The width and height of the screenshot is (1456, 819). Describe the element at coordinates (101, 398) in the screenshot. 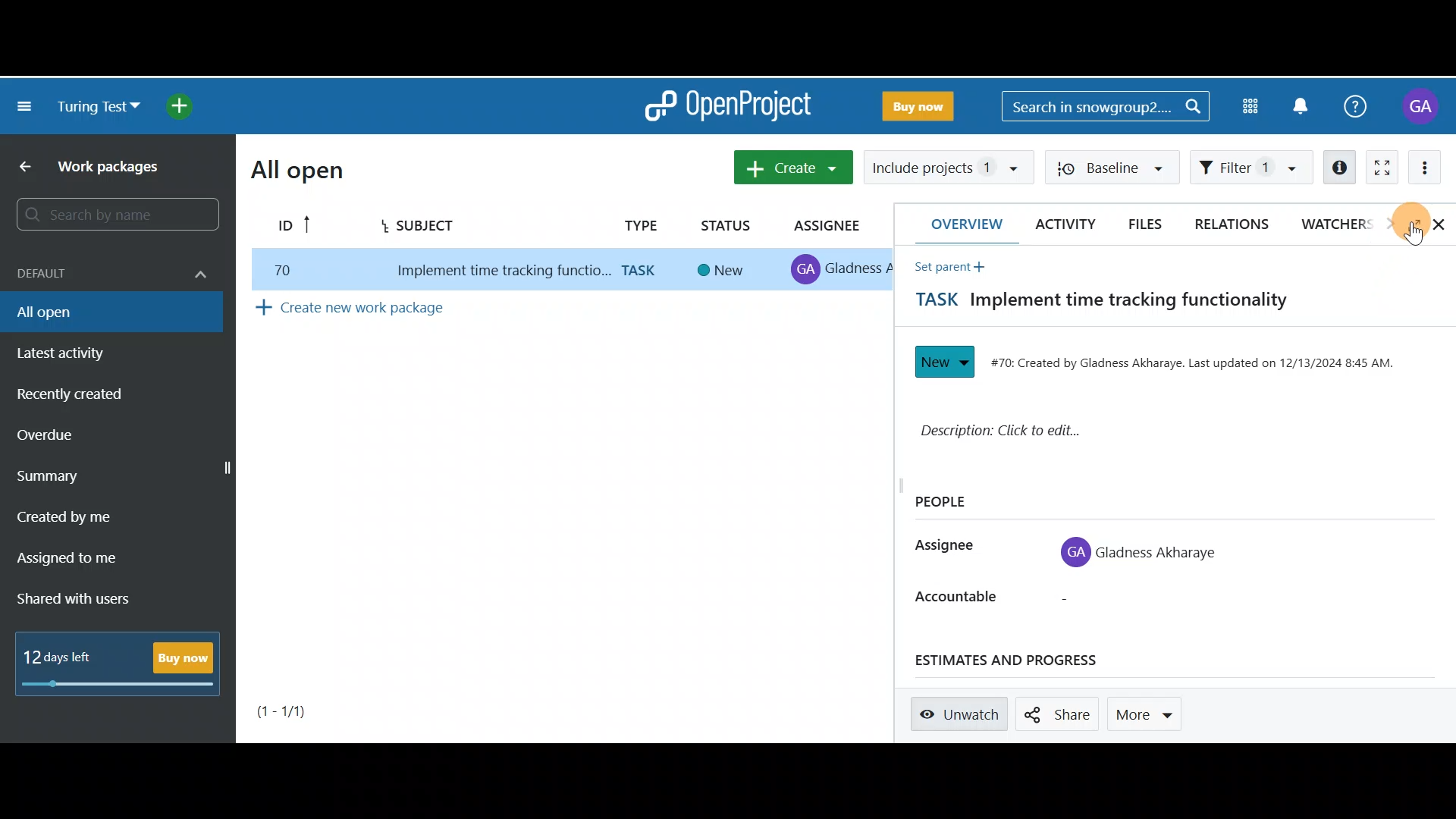

I see `Recently created` at that location.